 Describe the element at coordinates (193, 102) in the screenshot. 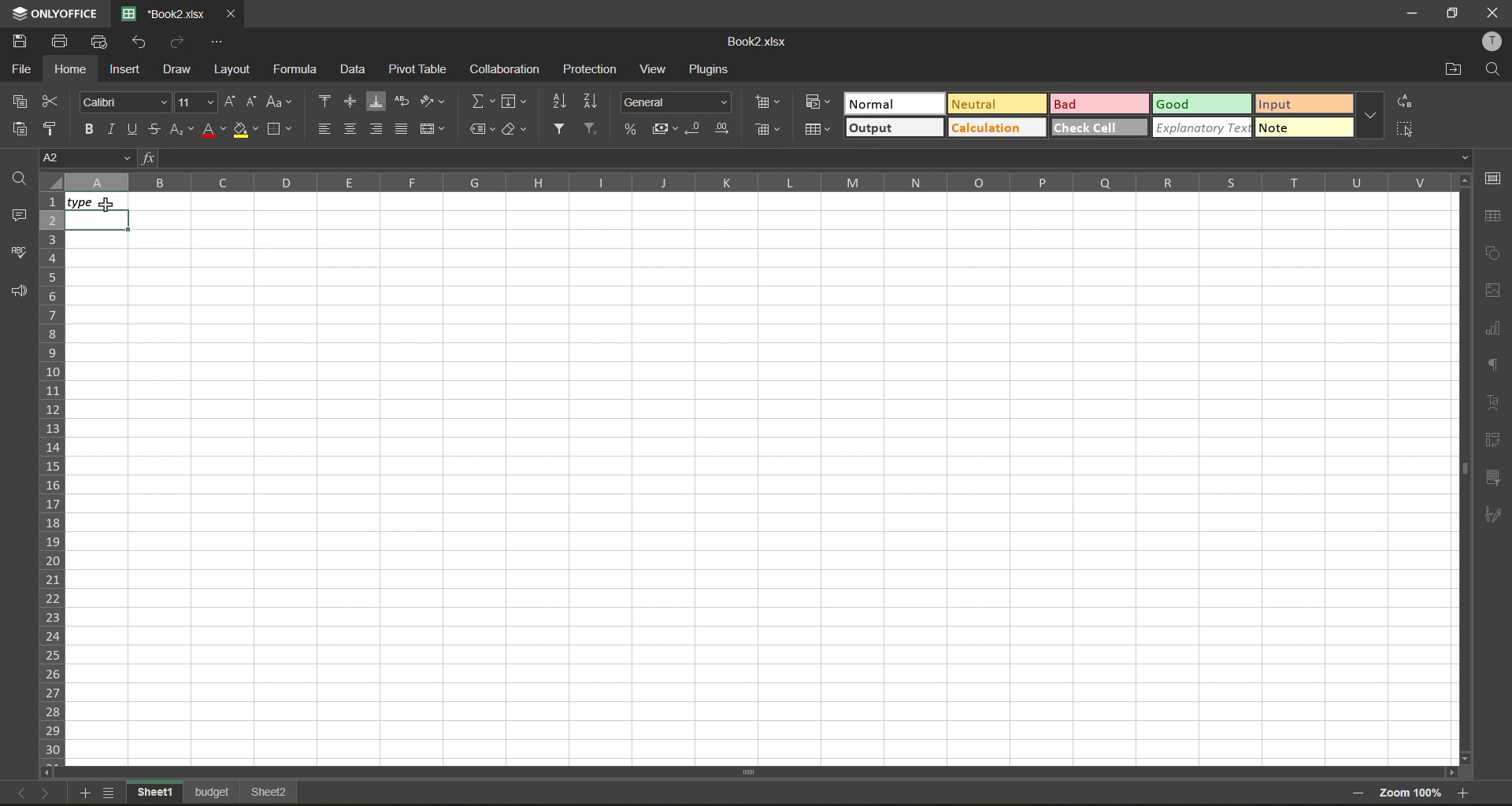

I see `font size` at that location.